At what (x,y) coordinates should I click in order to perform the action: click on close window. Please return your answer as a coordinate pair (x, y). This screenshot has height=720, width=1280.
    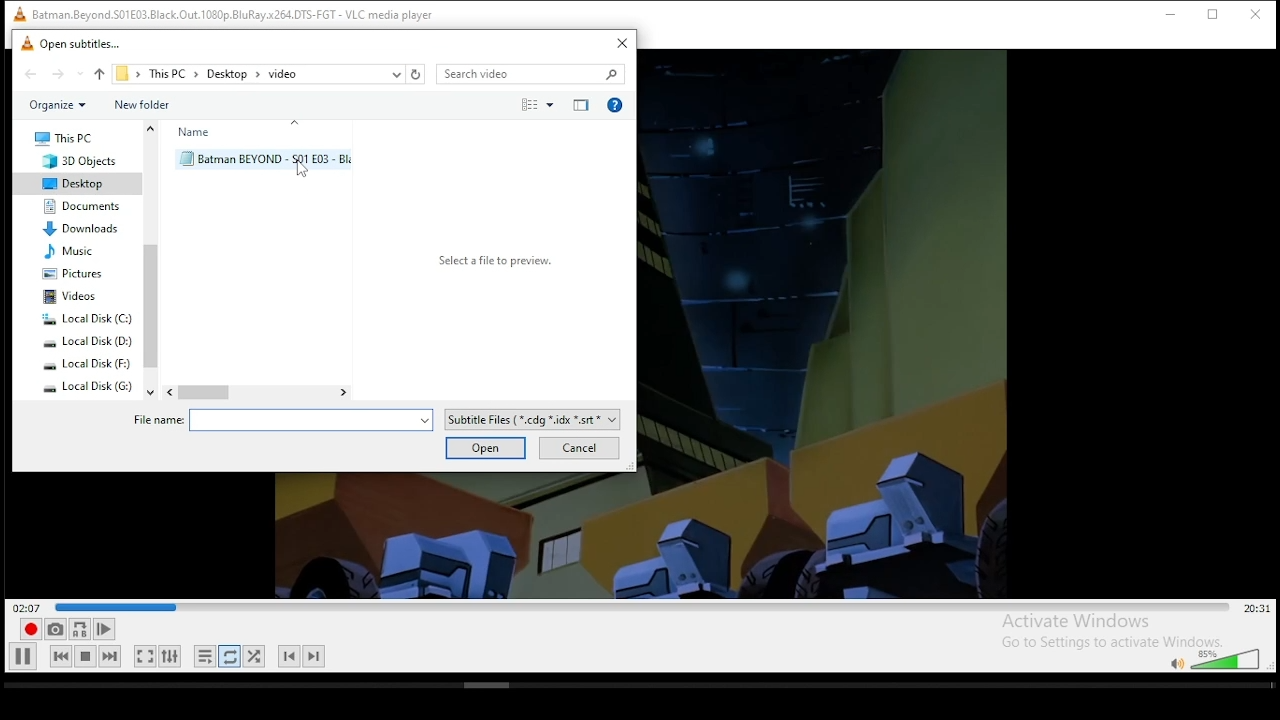
    Looking at the image, I should click on (1256, 13).